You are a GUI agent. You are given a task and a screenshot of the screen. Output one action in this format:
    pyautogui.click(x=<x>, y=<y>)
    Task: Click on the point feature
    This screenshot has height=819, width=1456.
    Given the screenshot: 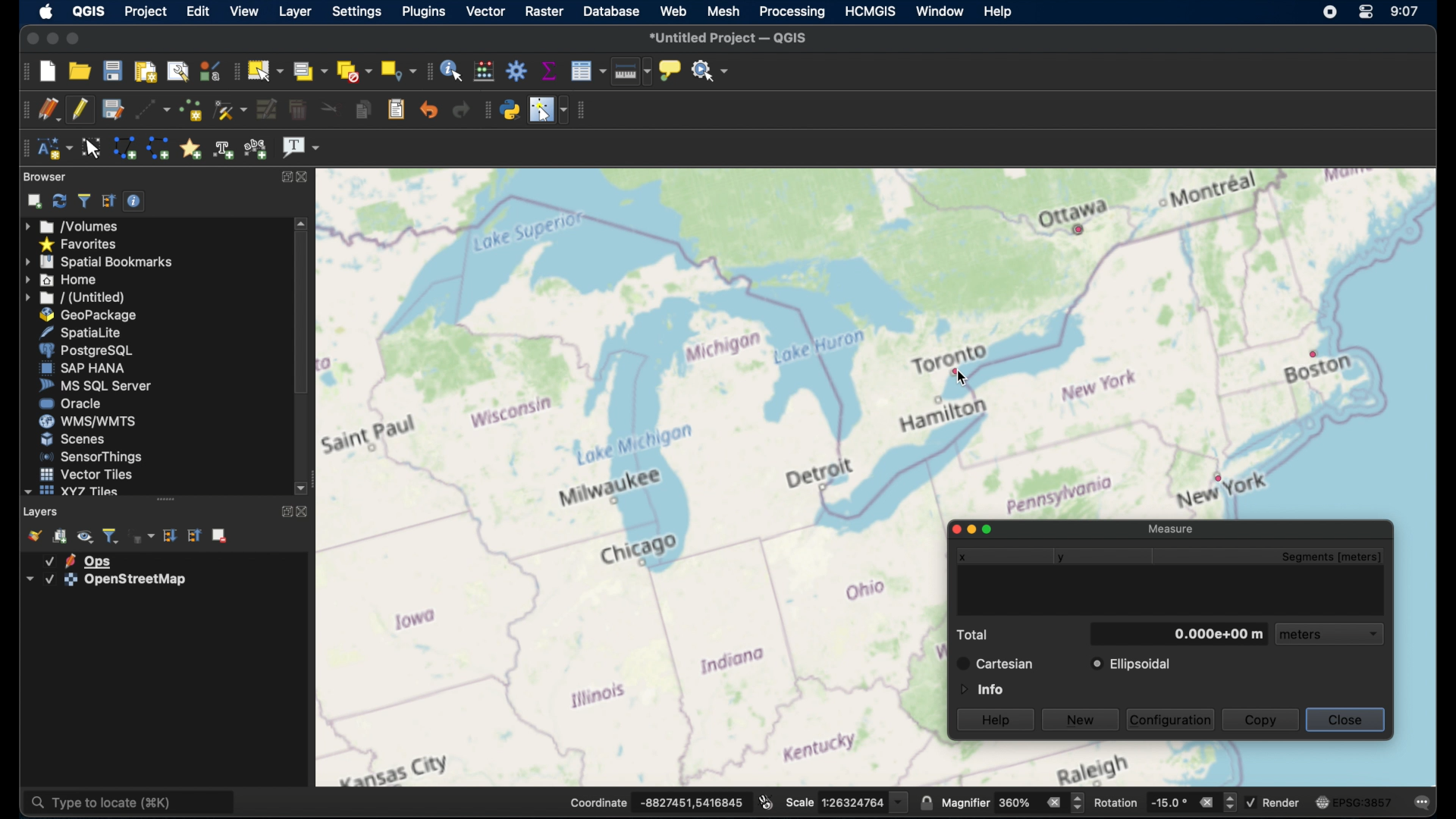 What is the action you would take?
    pyautogui.click(x=1080, y=231)
    